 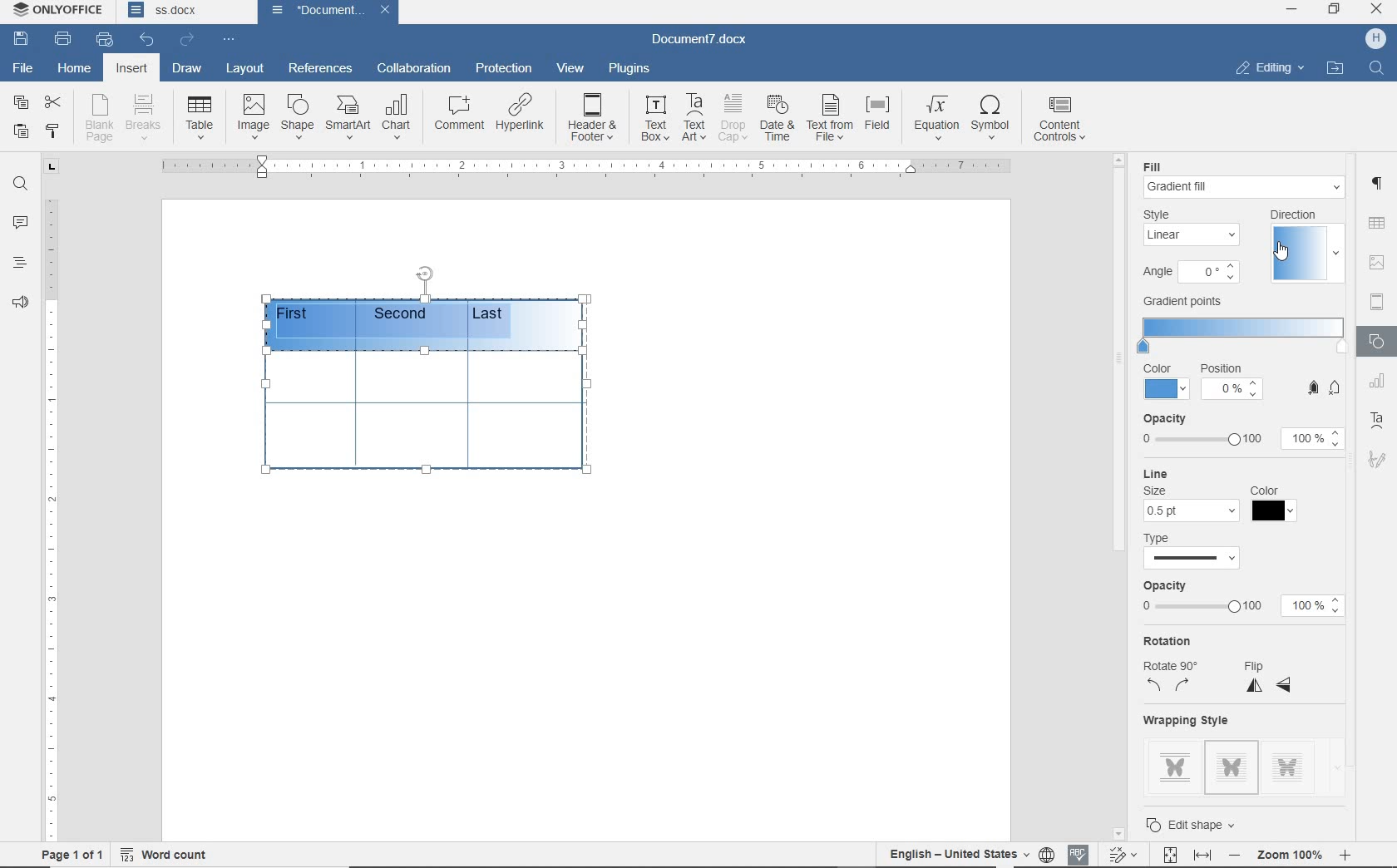 What do you see at coordinates (1225, 367) in the screenshot?
I see `position` at bounding box center [1225, 367].